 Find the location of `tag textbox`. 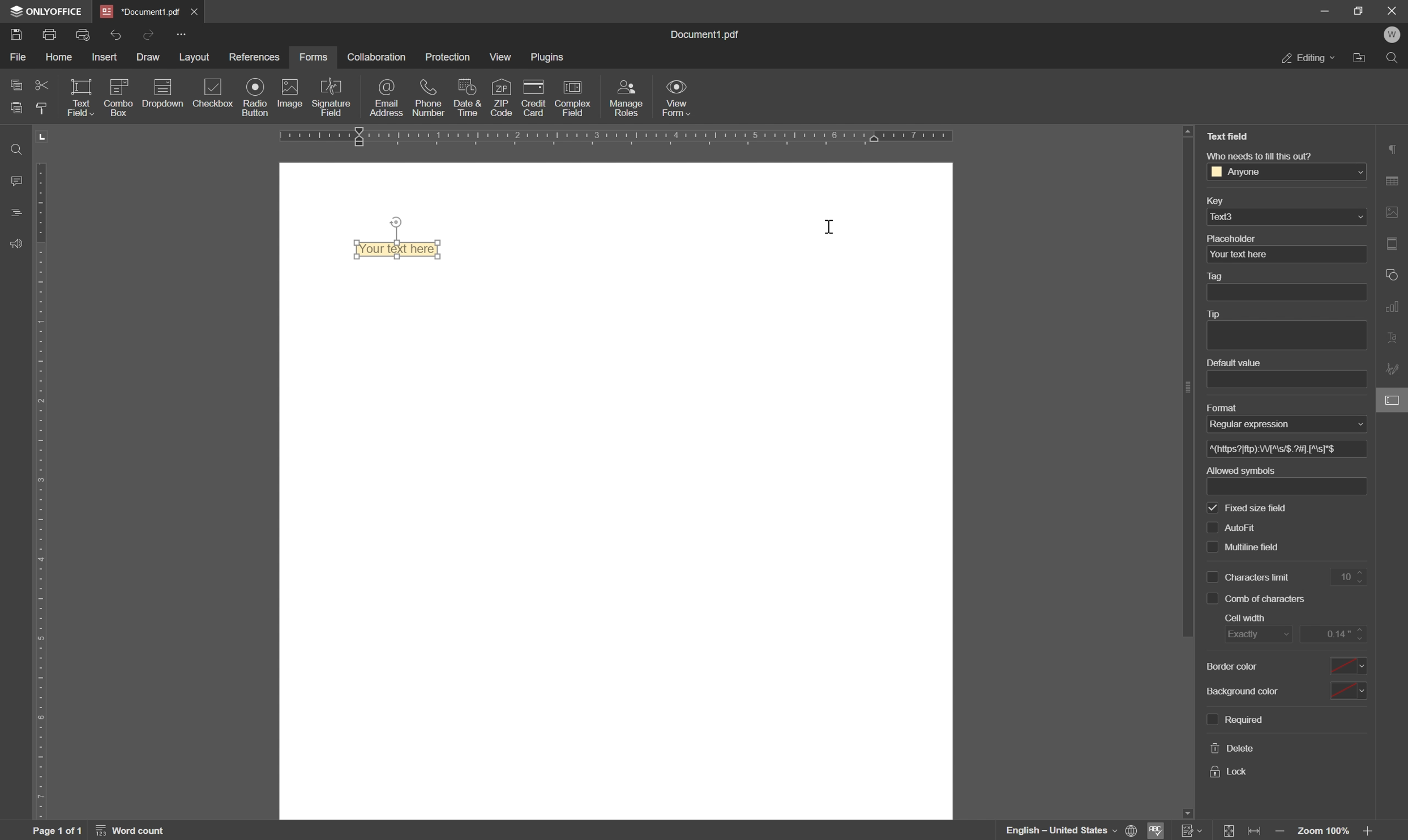

tag textbox is located at coordinates (1291, 292).